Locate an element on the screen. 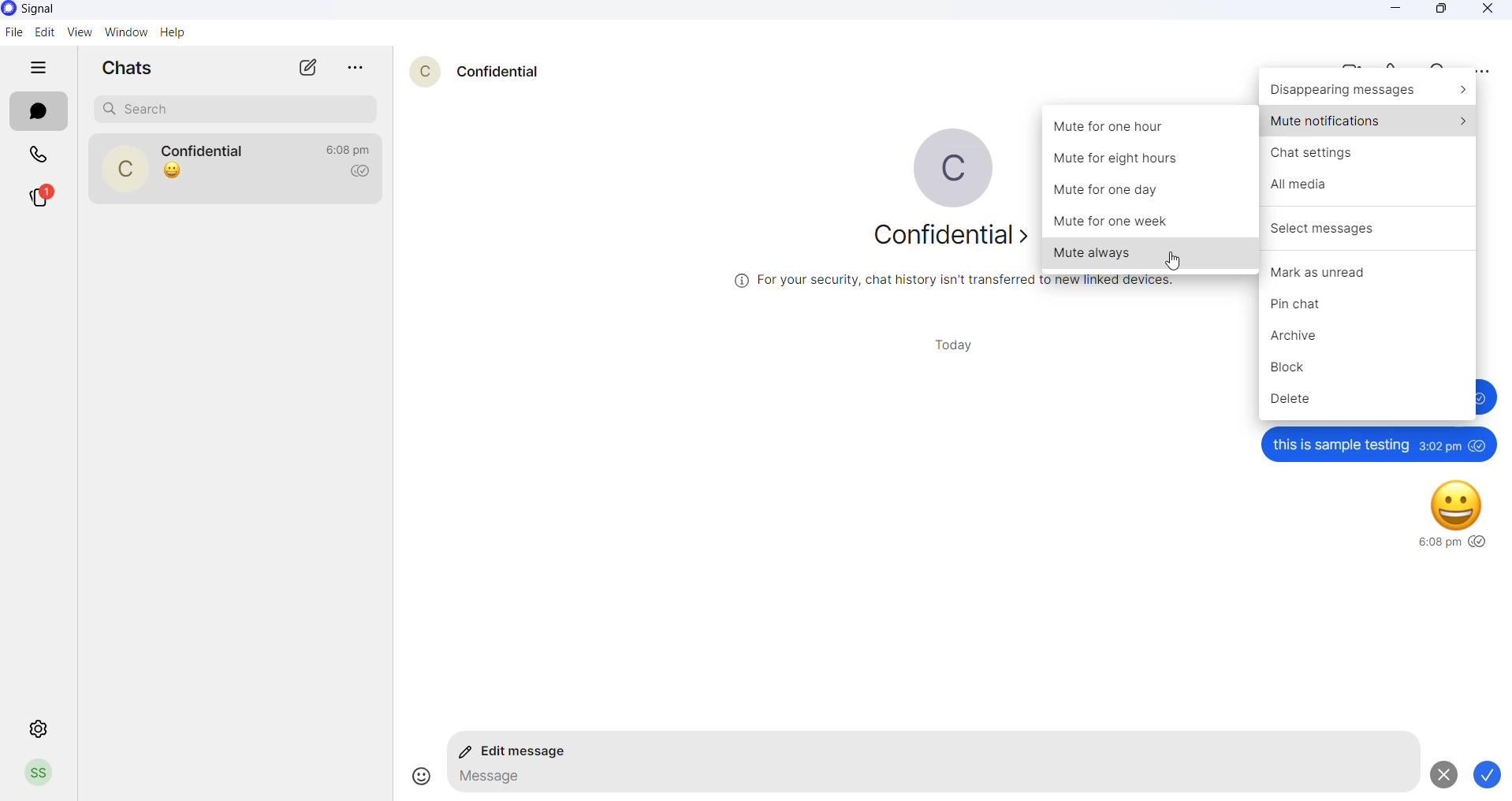  security related information is located at coordinates (957, 281).